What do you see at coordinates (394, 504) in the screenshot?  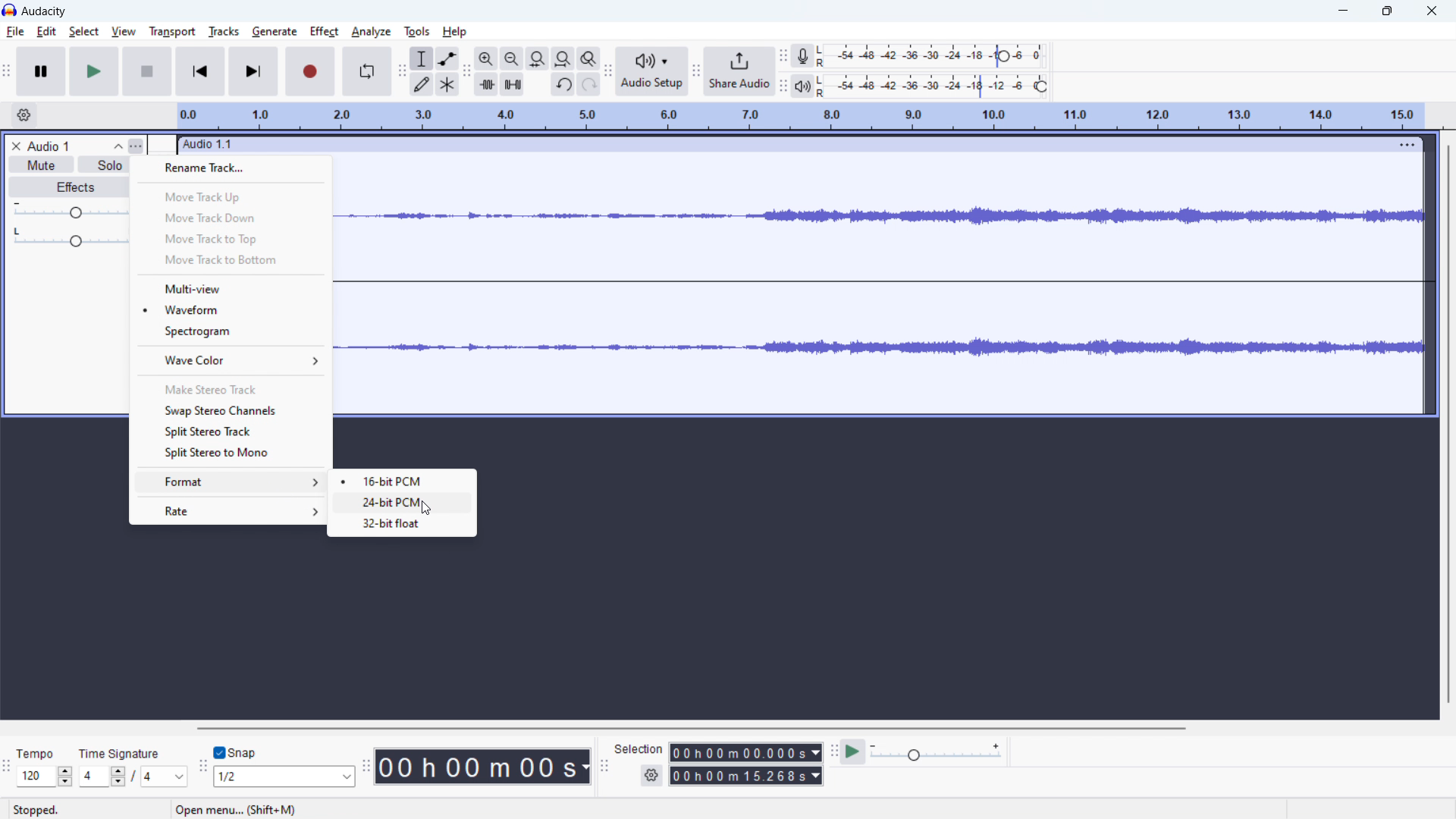 I see `24 bit pcm` at bounding box center [394, 504].